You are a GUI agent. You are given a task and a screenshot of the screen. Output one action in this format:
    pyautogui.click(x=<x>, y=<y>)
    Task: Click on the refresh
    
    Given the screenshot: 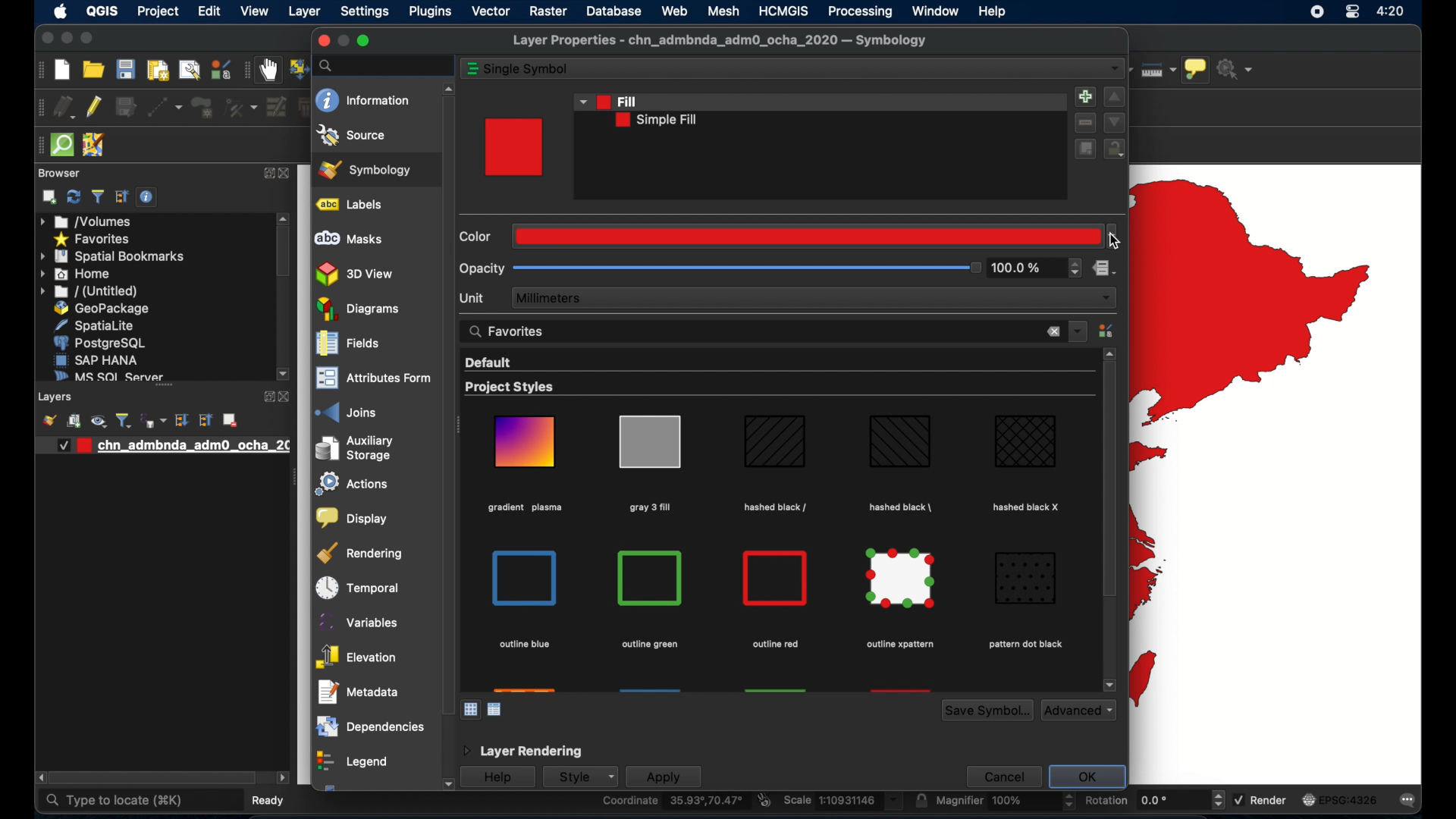 What is the action you would take?
    pyautogui.click(x=74, y=196)
    